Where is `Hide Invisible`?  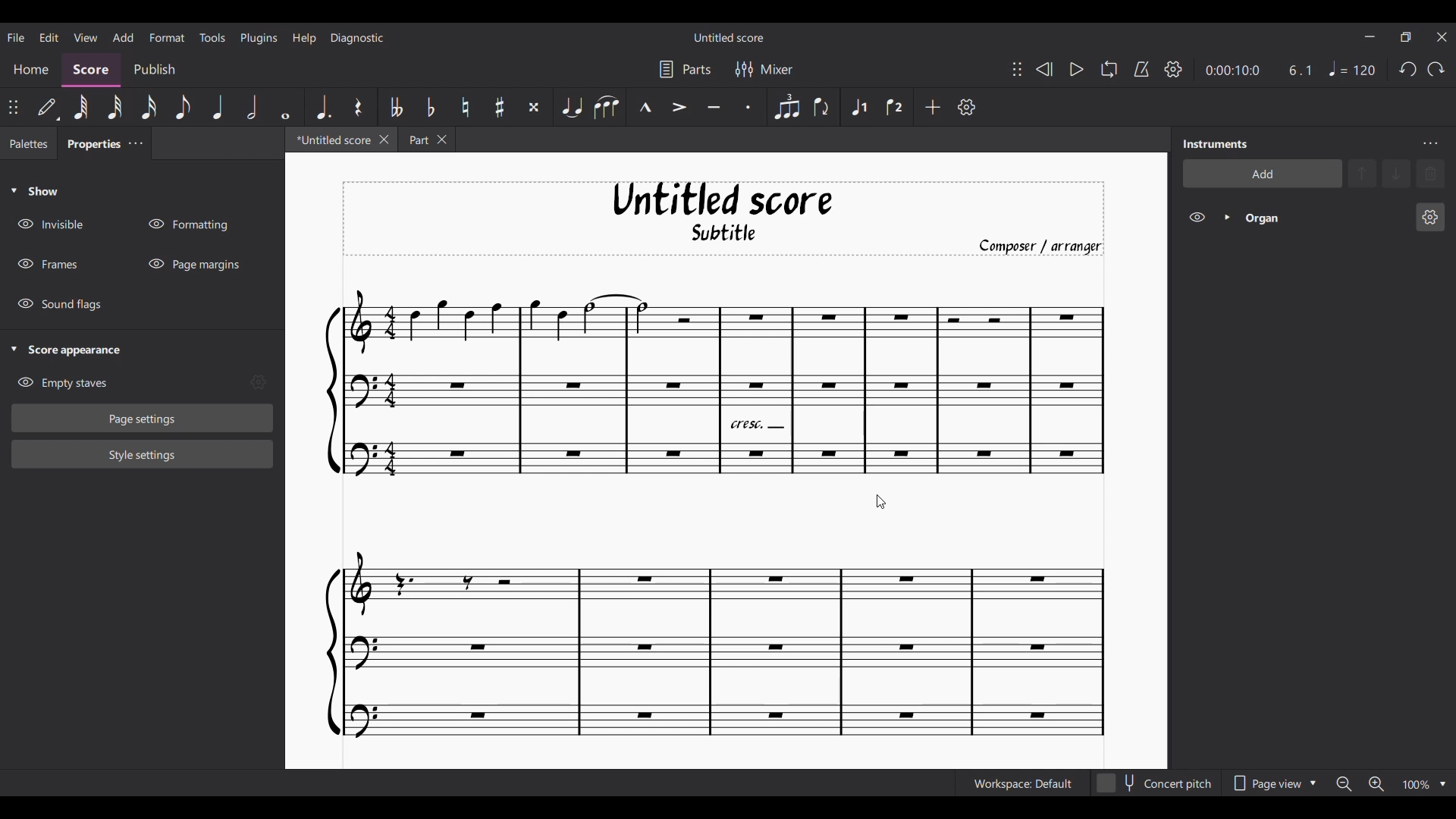 Hide Invisible is located at coordinates (50, 224).